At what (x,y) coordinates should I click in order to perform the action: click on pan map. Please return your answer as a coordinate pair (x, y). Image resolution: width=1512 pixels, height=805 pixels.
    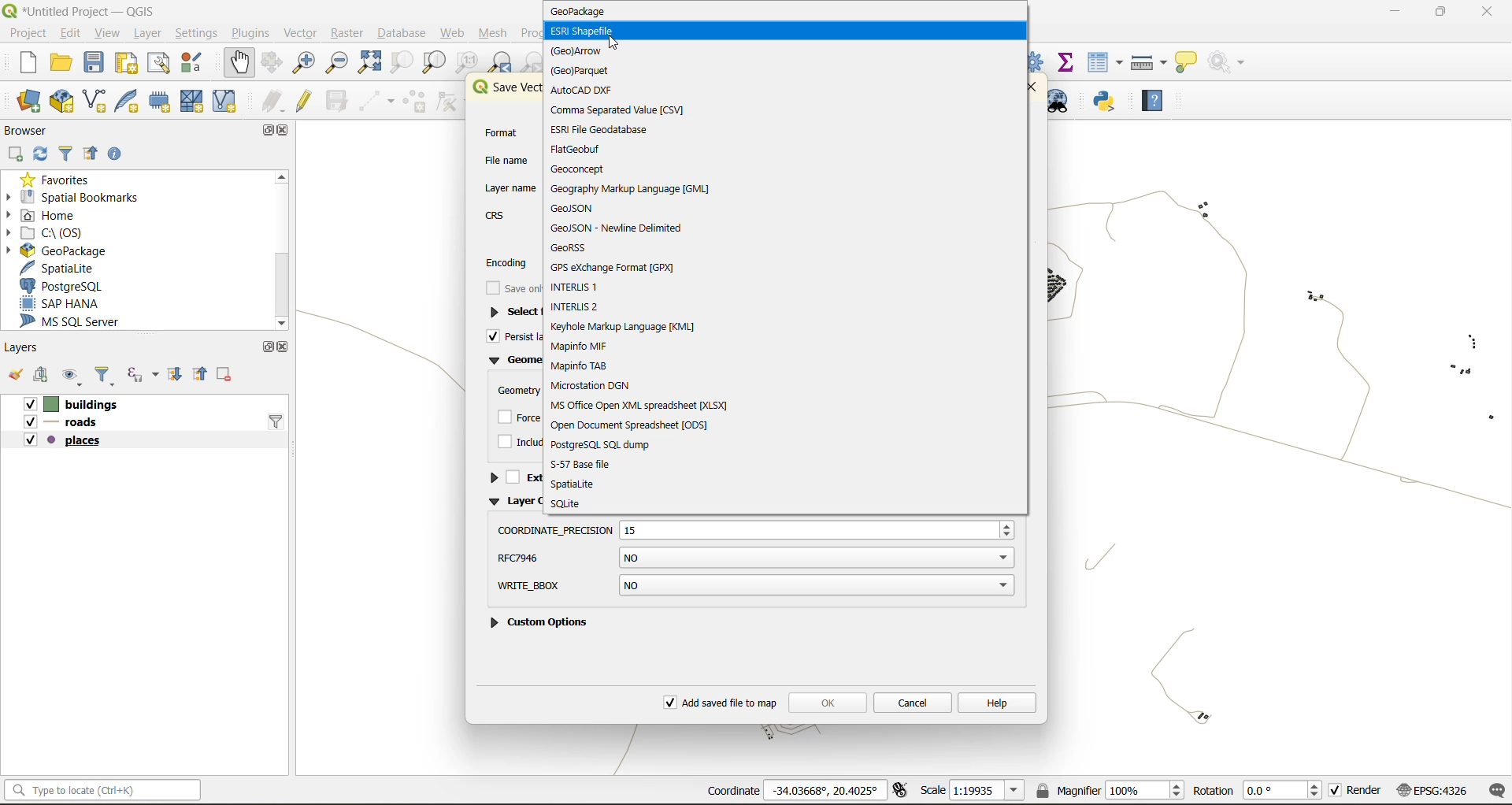
    Looking at the image, I should click on (242, 62).